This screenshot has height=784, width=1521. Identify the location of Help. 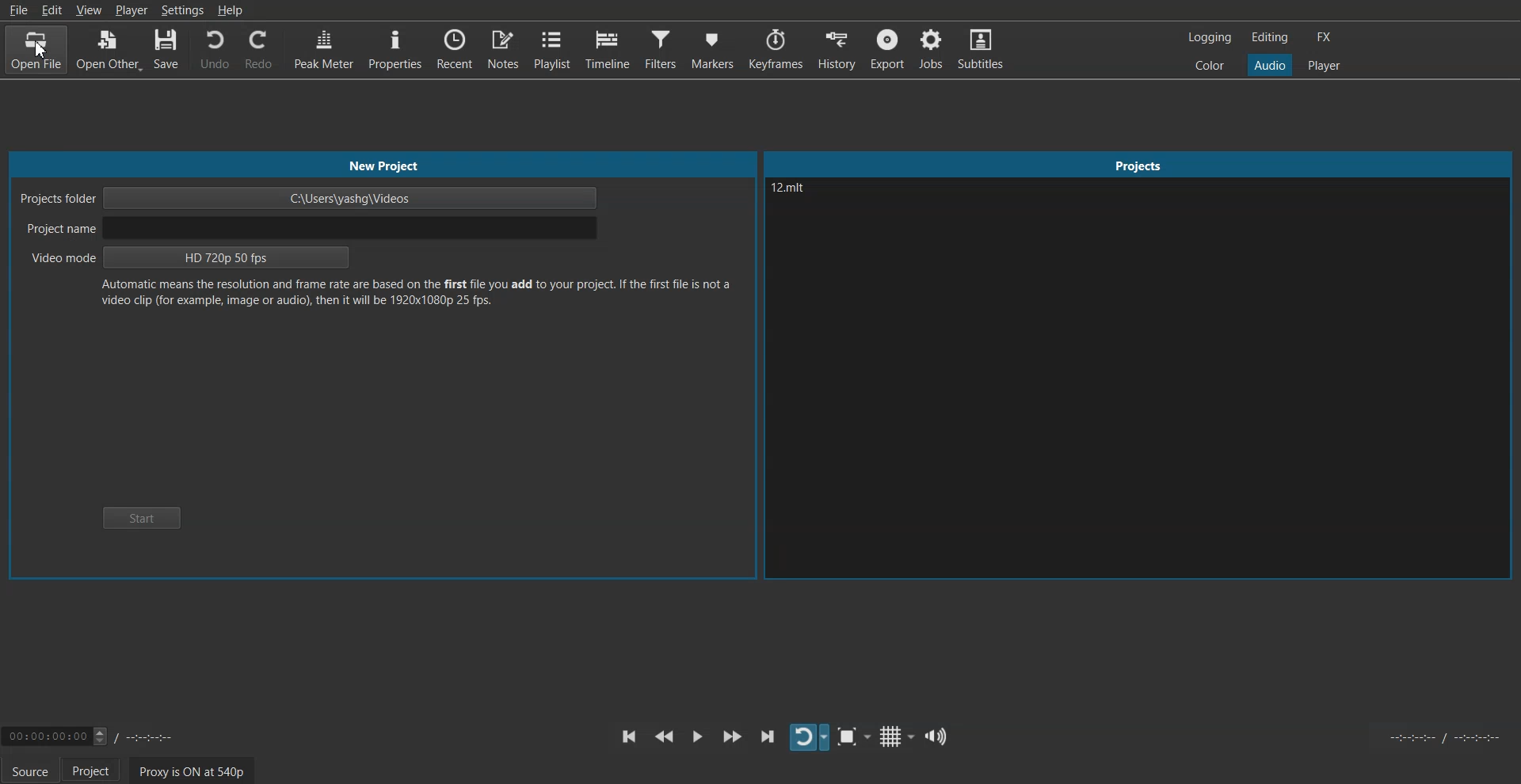
(230, 10).